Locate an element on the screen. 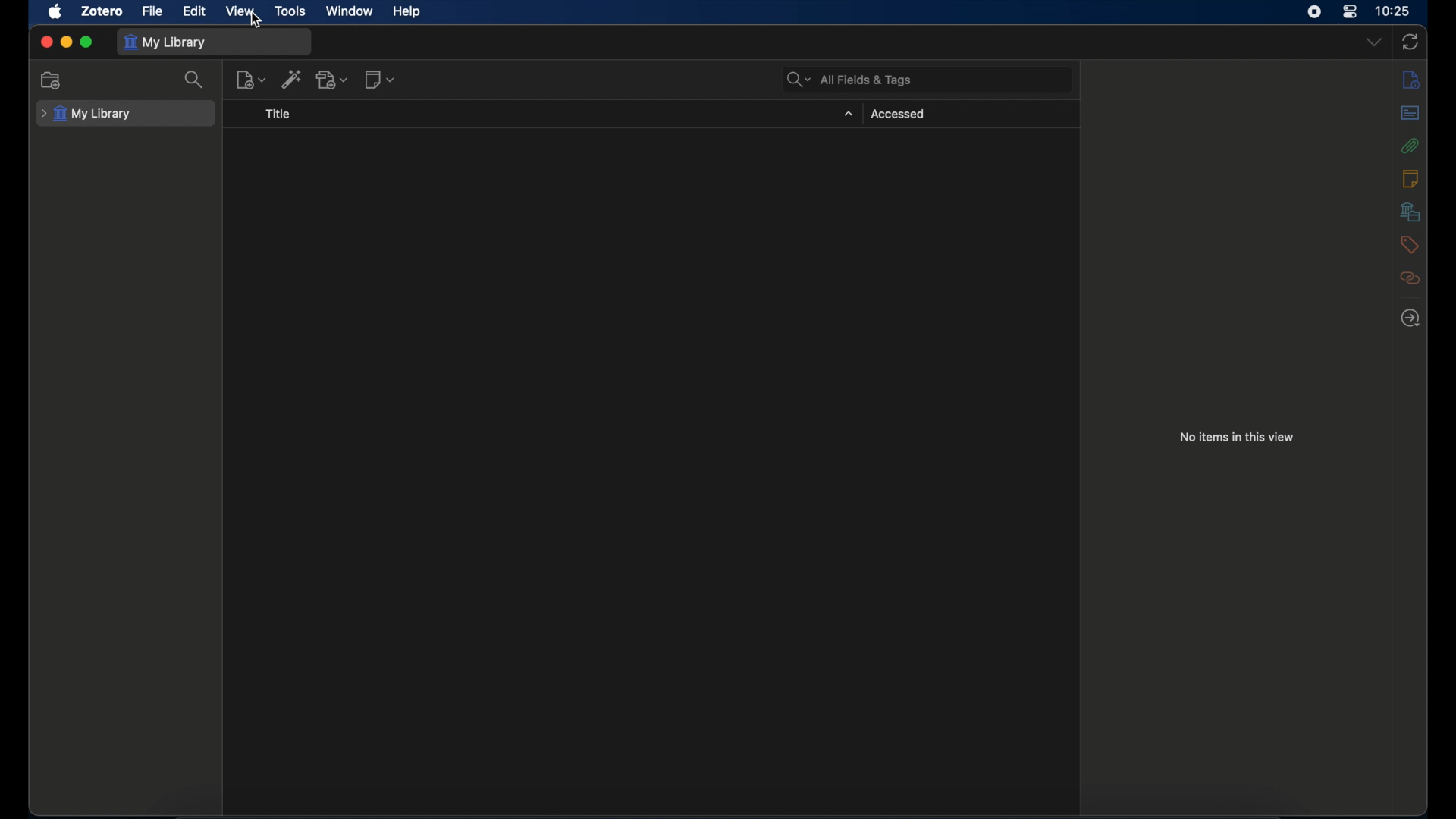 The width and height of the screenshot is (1456, 819). window is located at coordinates (350, 11).